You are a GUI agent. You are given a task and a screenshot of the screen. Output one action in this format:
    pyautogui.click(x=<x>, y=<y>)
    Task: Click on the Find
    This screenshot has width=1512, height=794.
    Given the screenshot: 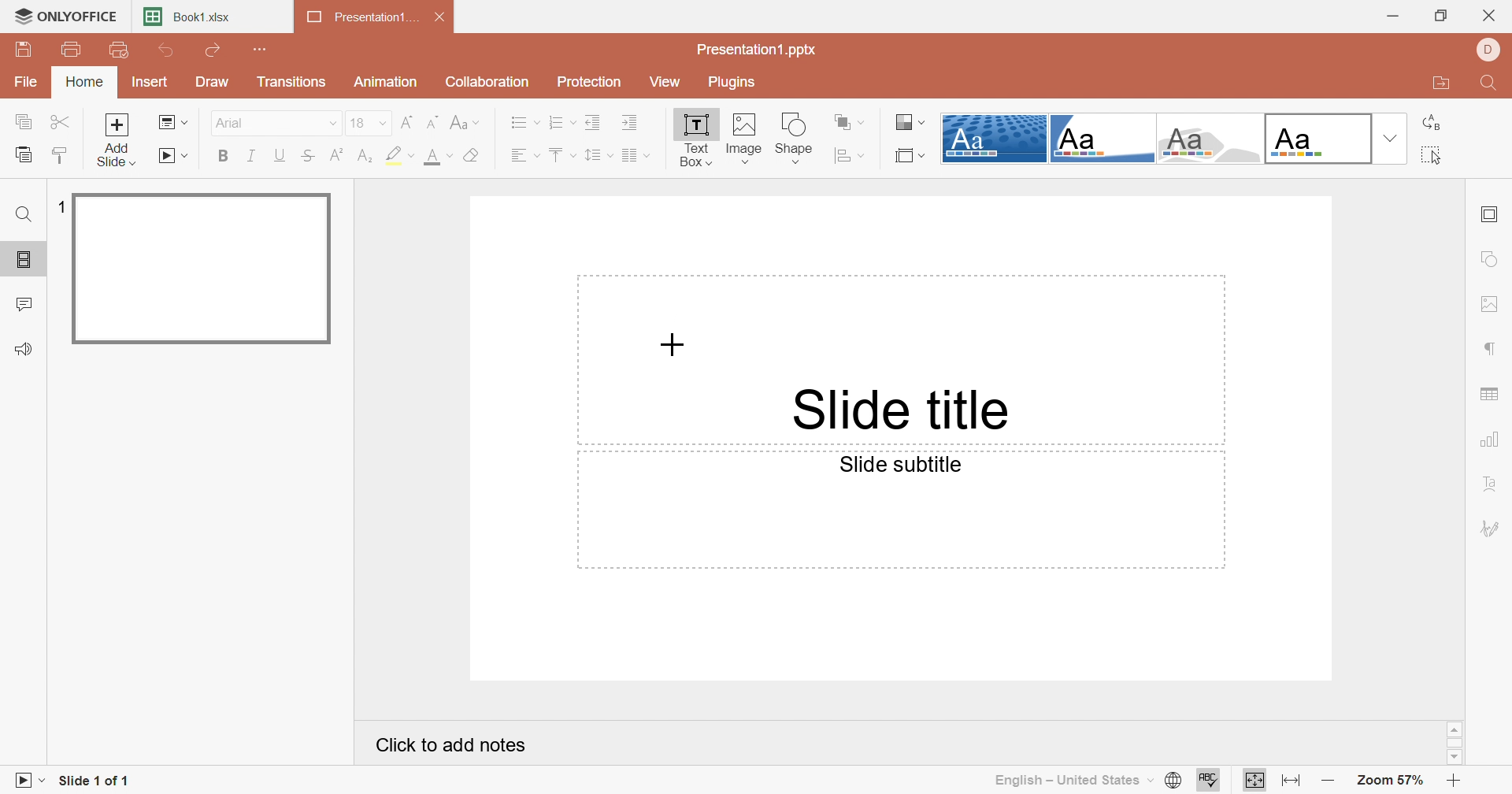 What is the action you would take?
    pyautogui.click(x=24, y=213)
    